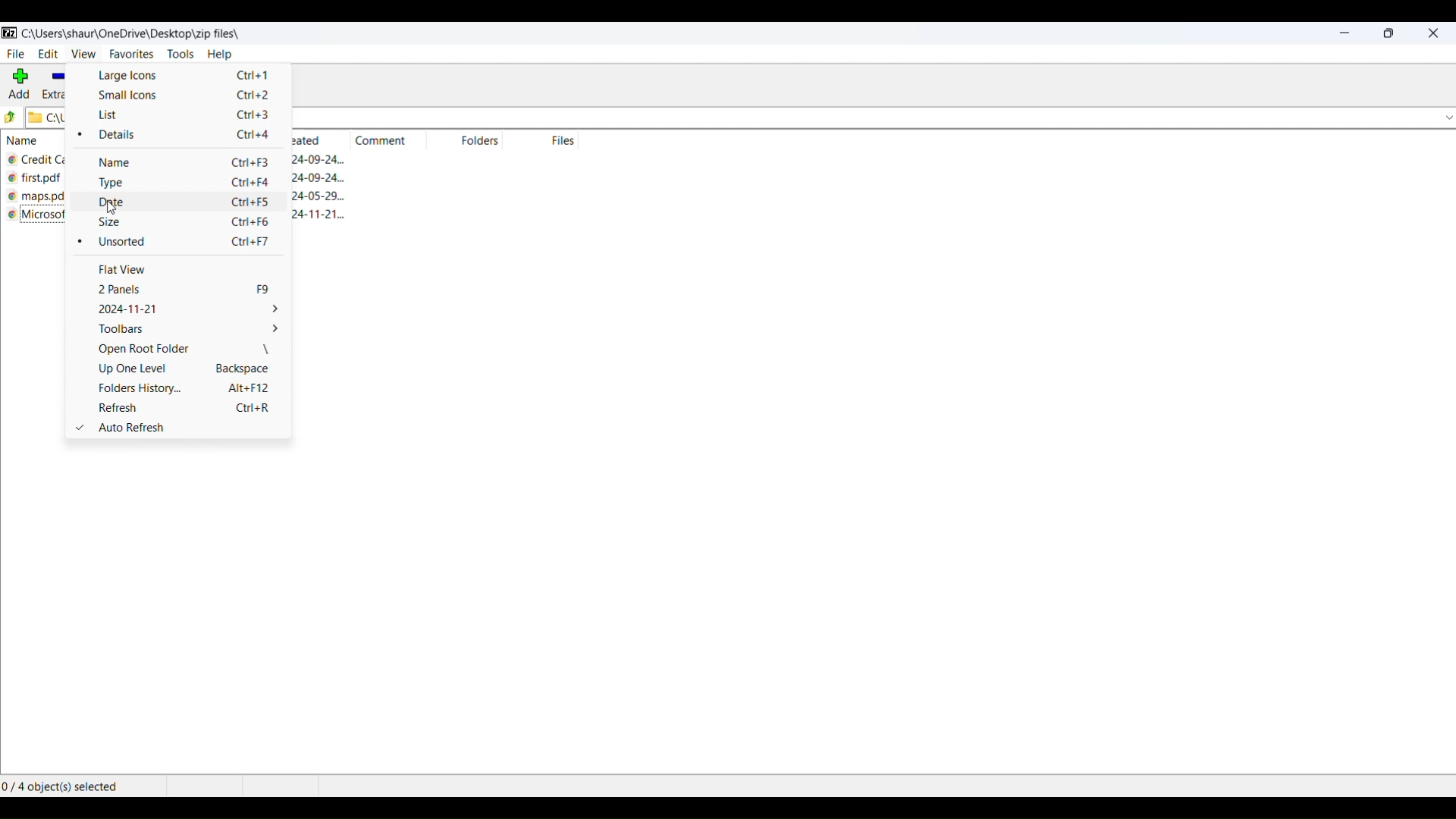 This screenshot has width=1456, height=819. What do you see at coordinates (381, 140) in the screenshot?
I see `comment` at bounding box center [381, 140].